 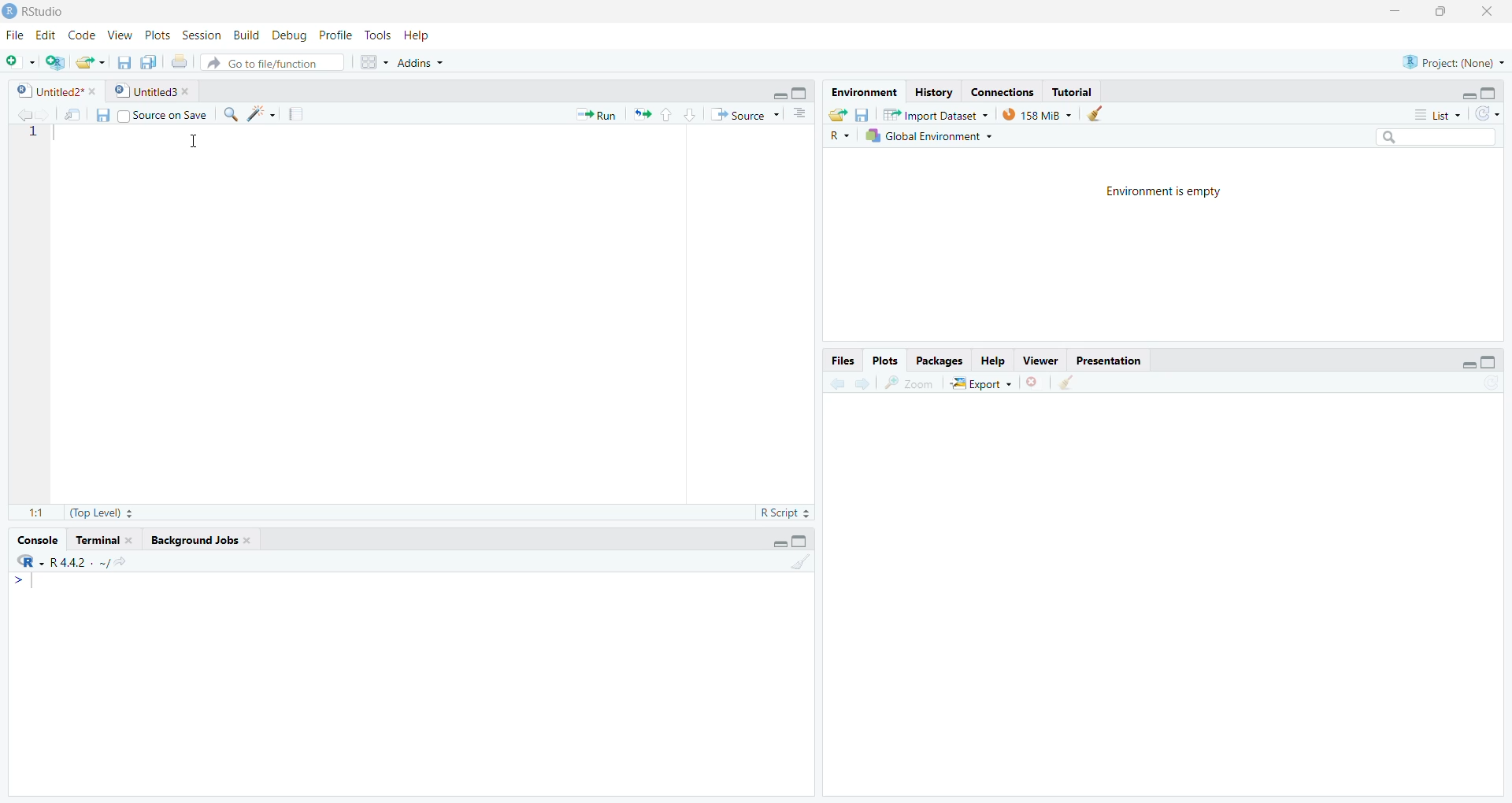 What do you see at coordinates (675, 113) in the screenshot?
I see `` at bounding box center [675, 113].